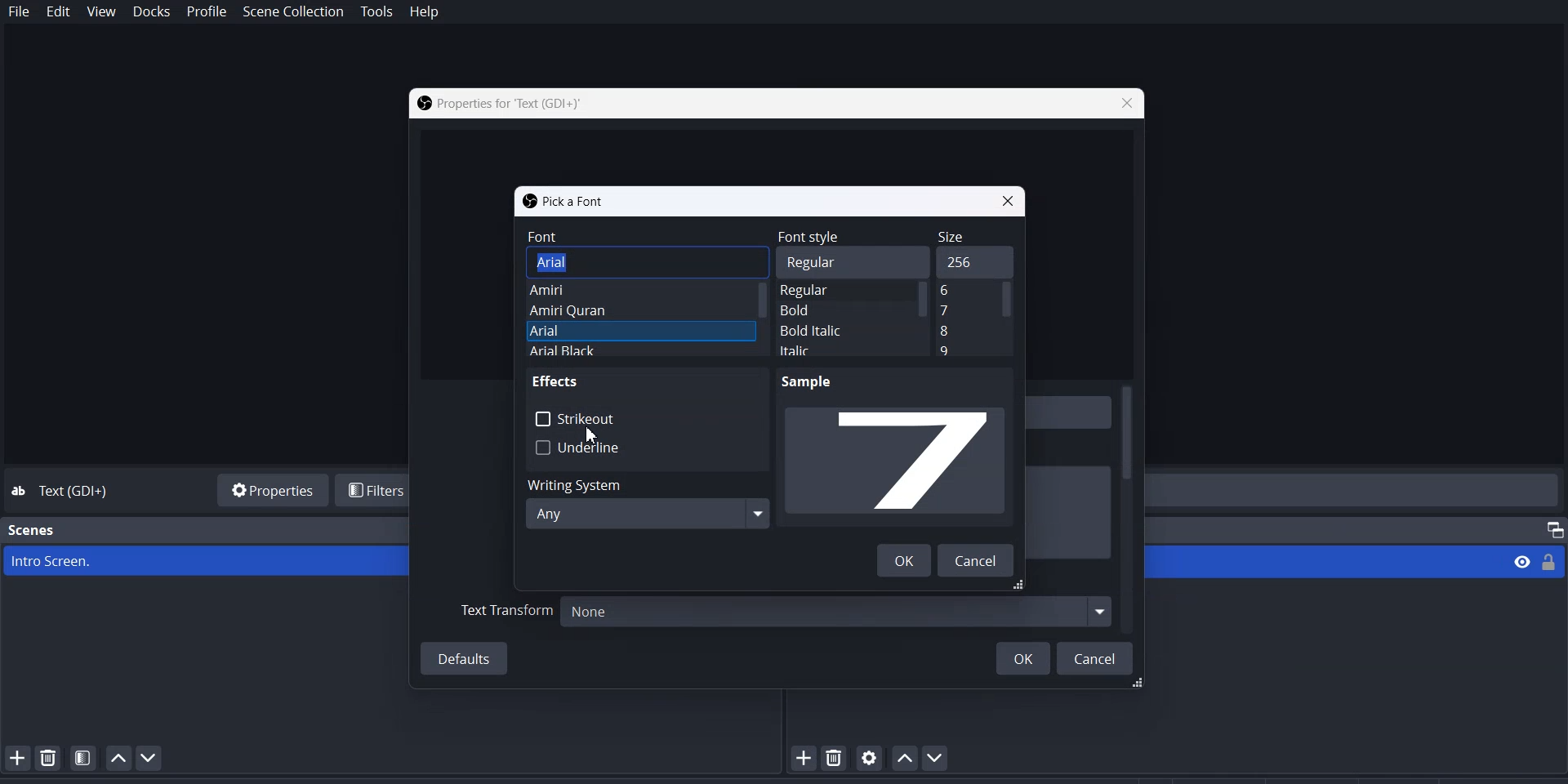  I want to click on Pick a font, so click(563, 200).